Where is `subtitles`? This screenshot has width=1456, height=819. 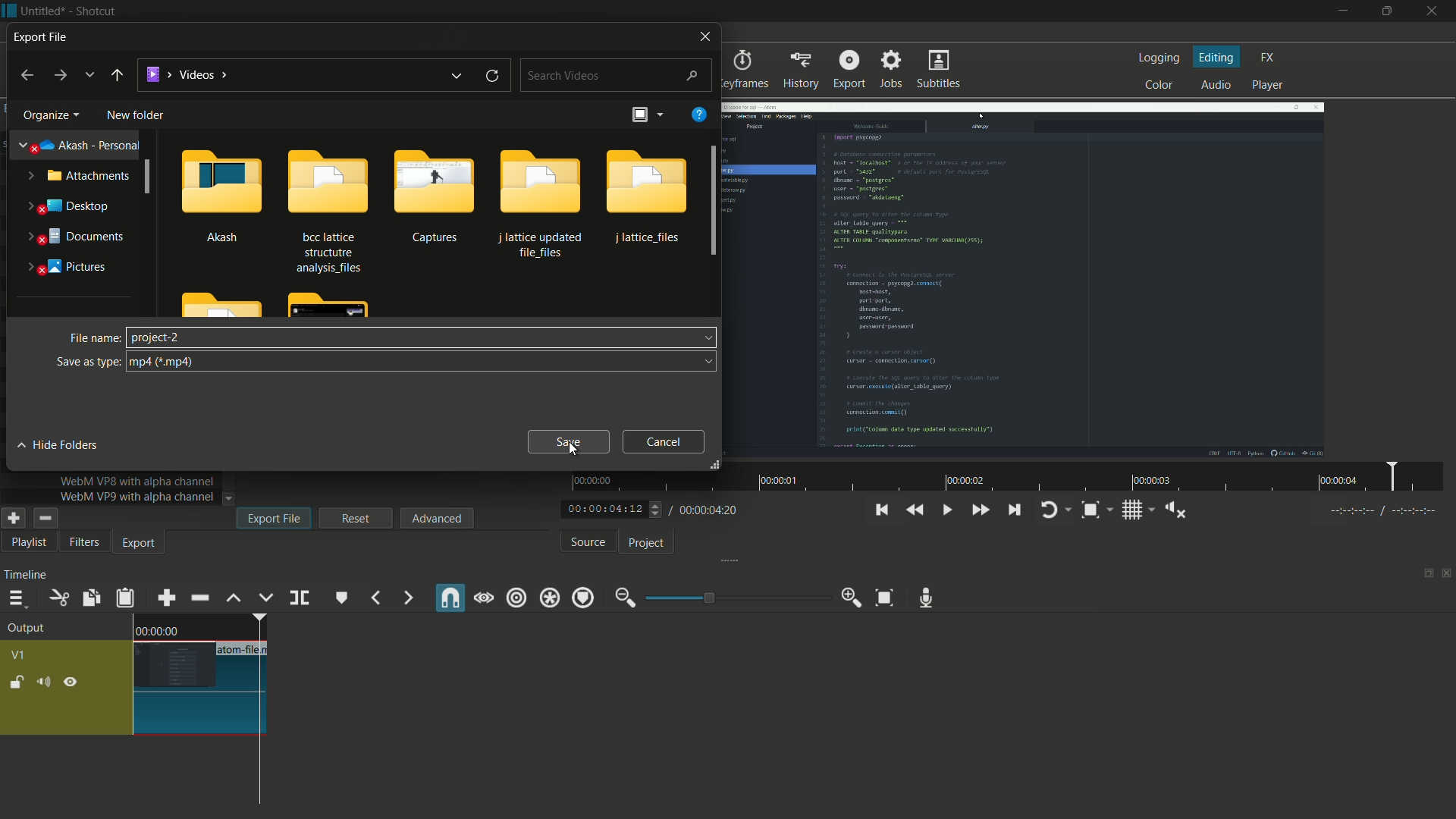
subtitles is located at coordinates (937, 68).